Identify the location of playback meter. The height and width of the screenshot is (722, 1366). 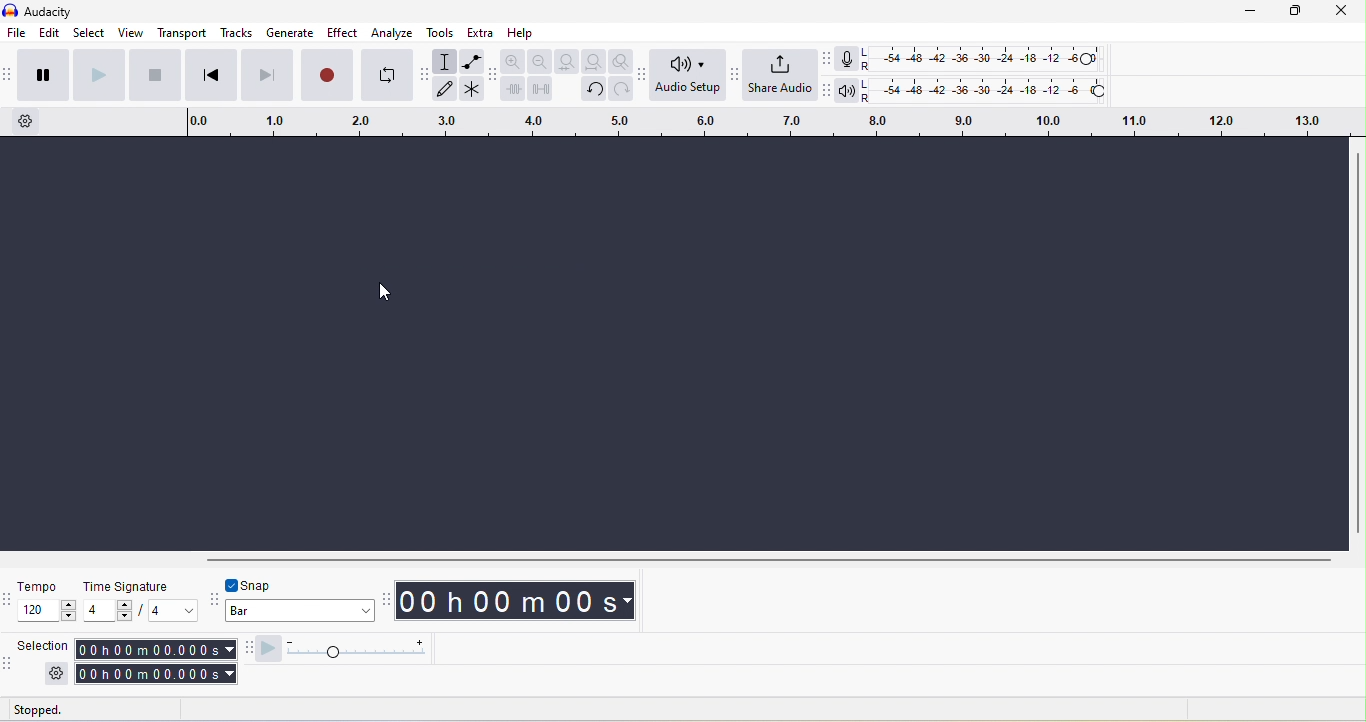
(847, 90).